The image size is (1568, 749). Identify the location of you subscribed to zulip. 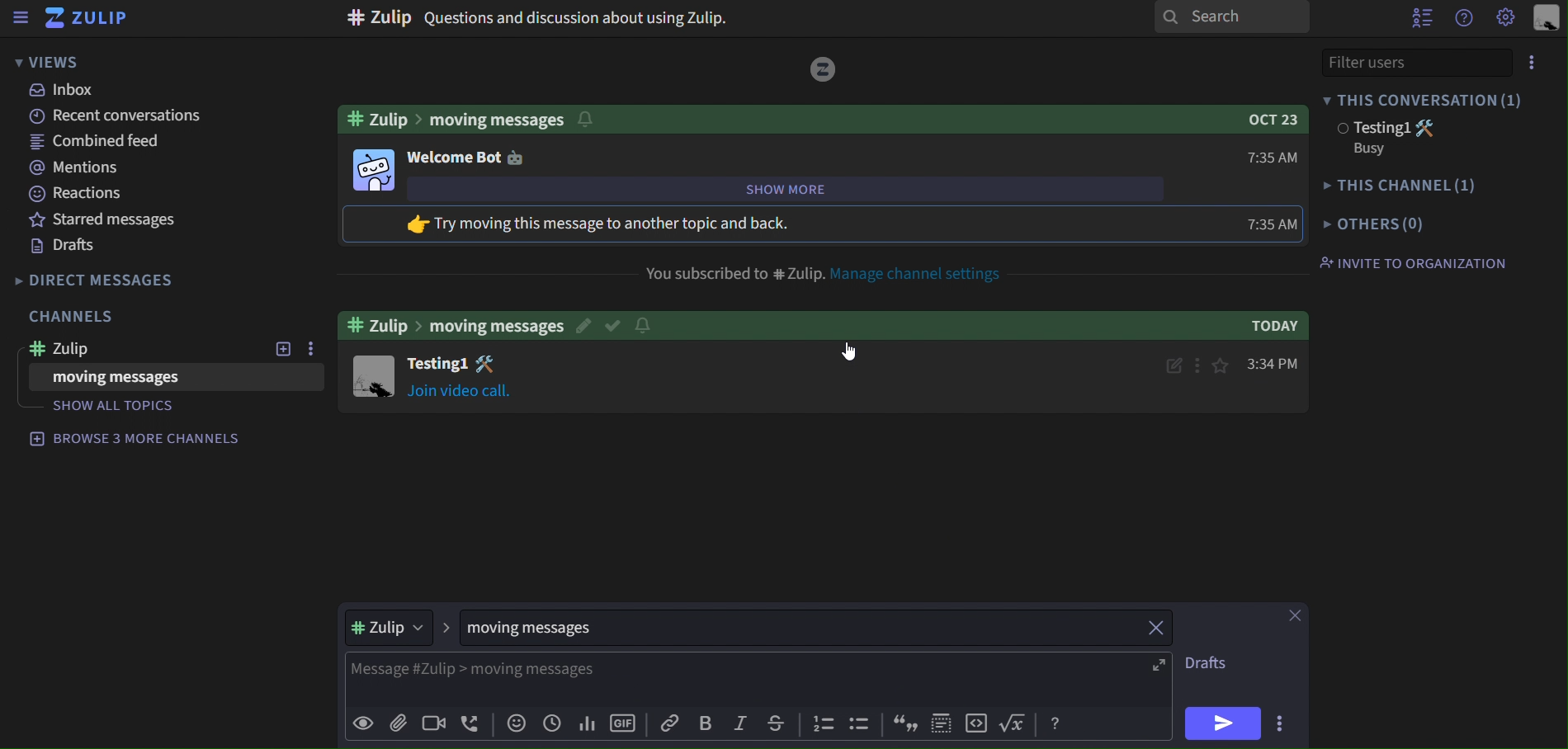
(732, 271).